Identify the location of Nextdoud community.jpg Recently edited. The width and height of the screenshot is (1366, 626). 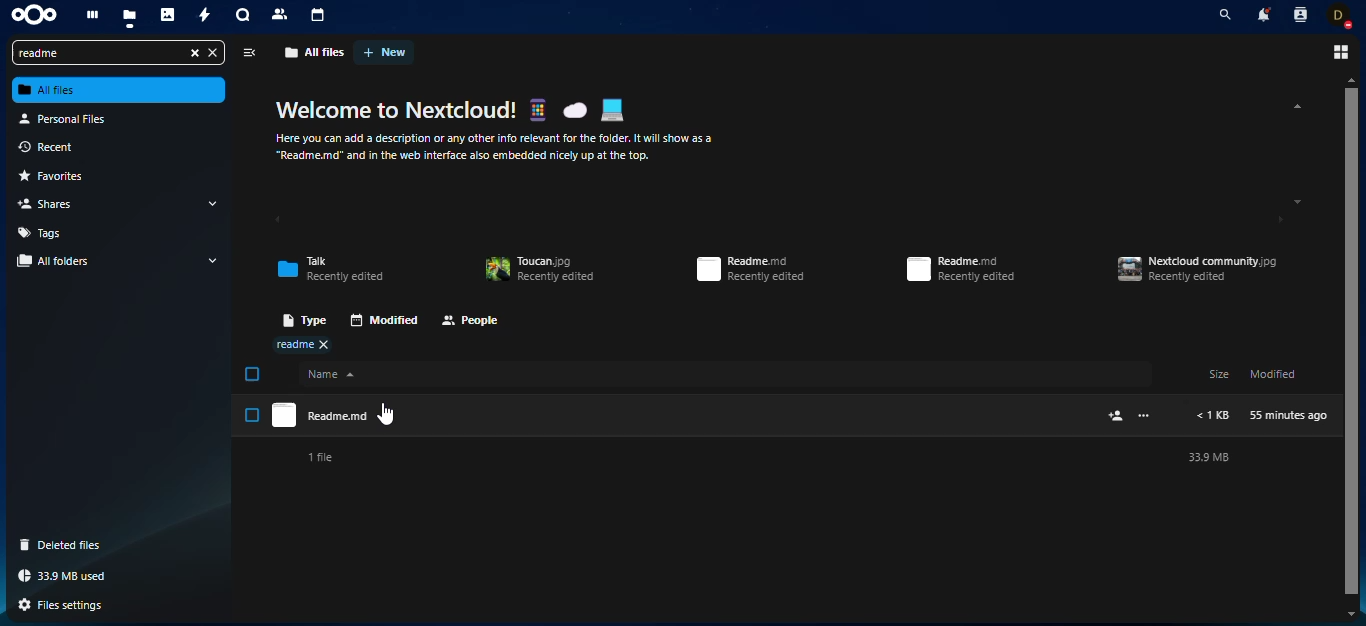
(1198, 269).